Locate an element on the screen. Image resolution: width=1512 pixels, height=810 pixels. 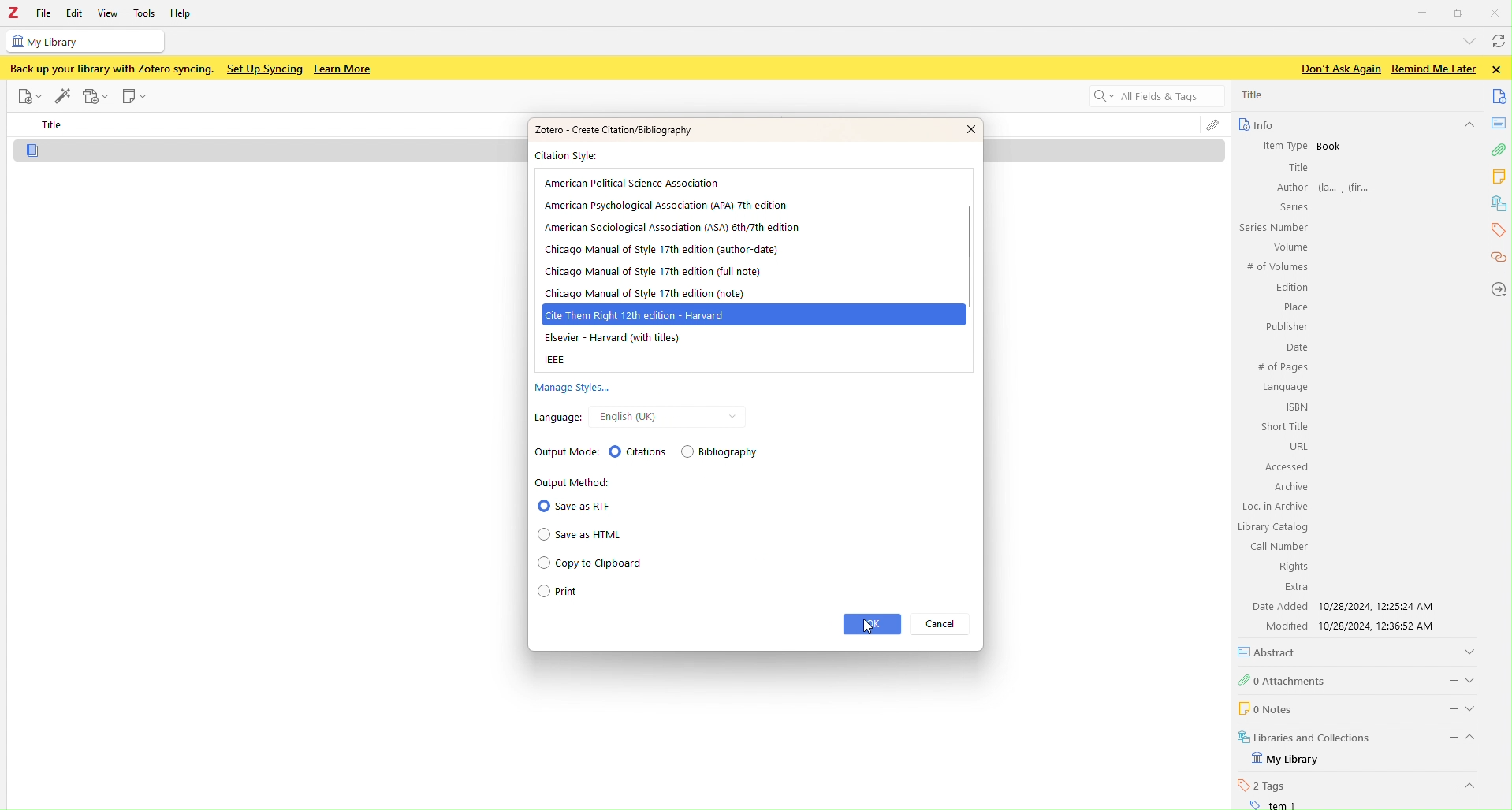
notes is located at coordinates (1500, 176).